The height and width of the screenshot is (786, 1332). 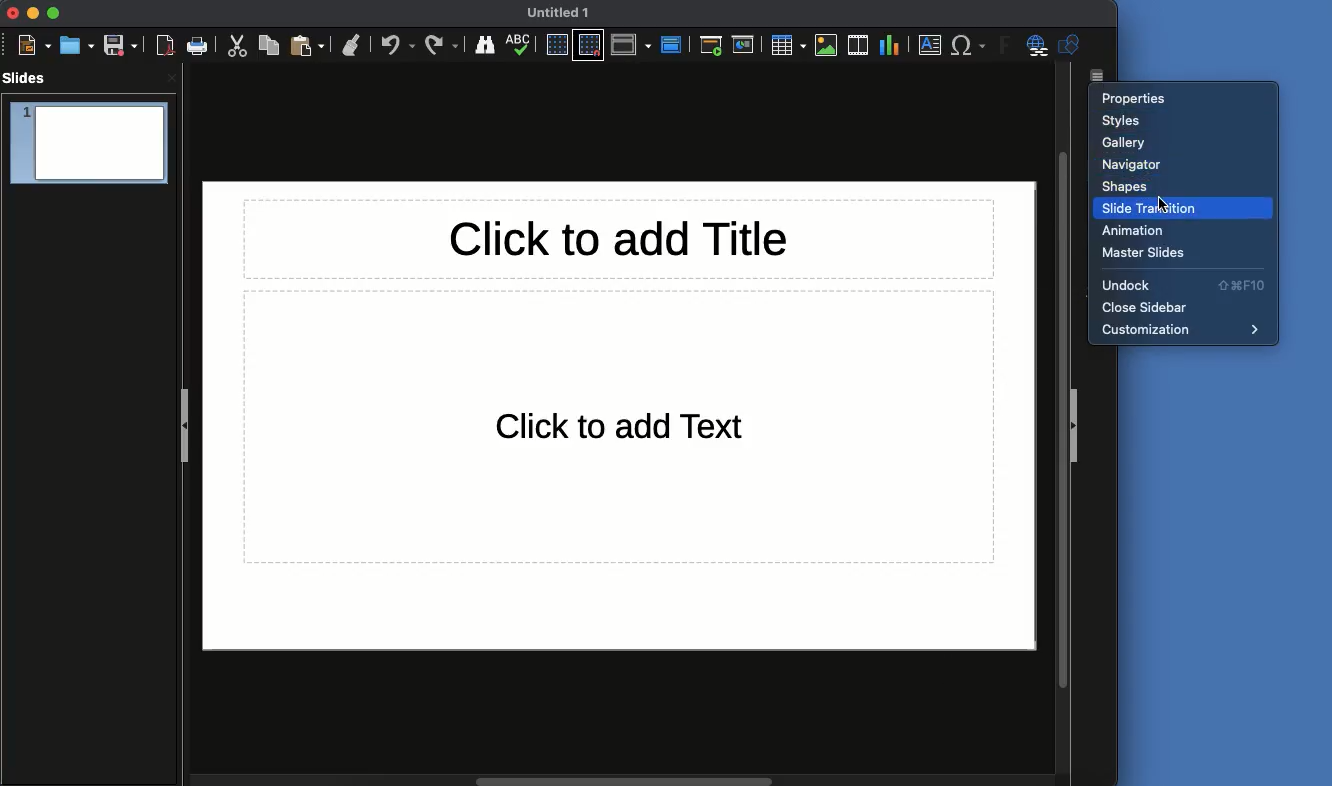 What do you see at coordinates (1189, 330) in the screenshot?
I see `Customization` at bounding box center [1189, 330].